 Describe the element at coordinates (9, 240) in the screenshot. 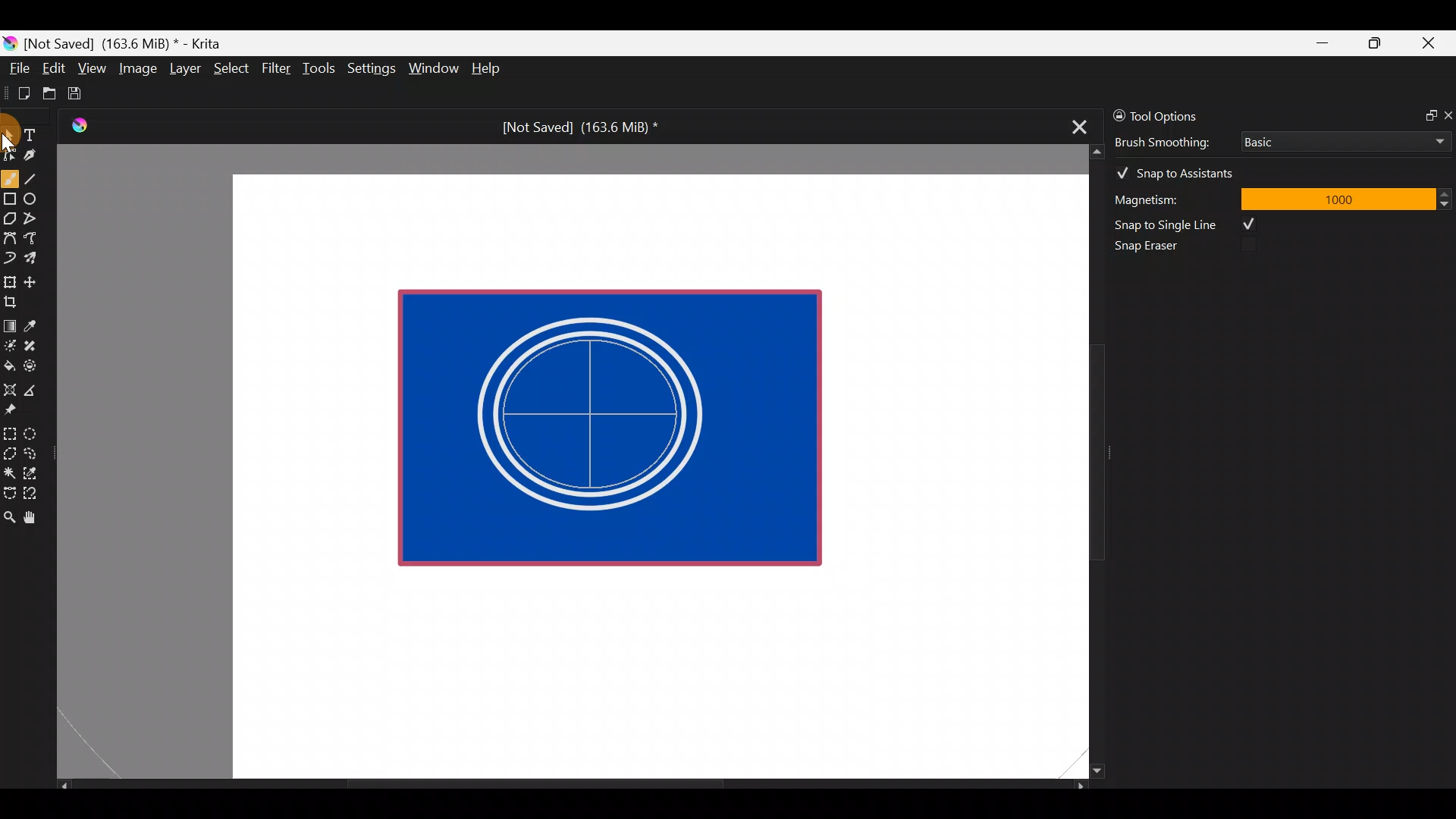

I see `Bezier curve tool` at that location.